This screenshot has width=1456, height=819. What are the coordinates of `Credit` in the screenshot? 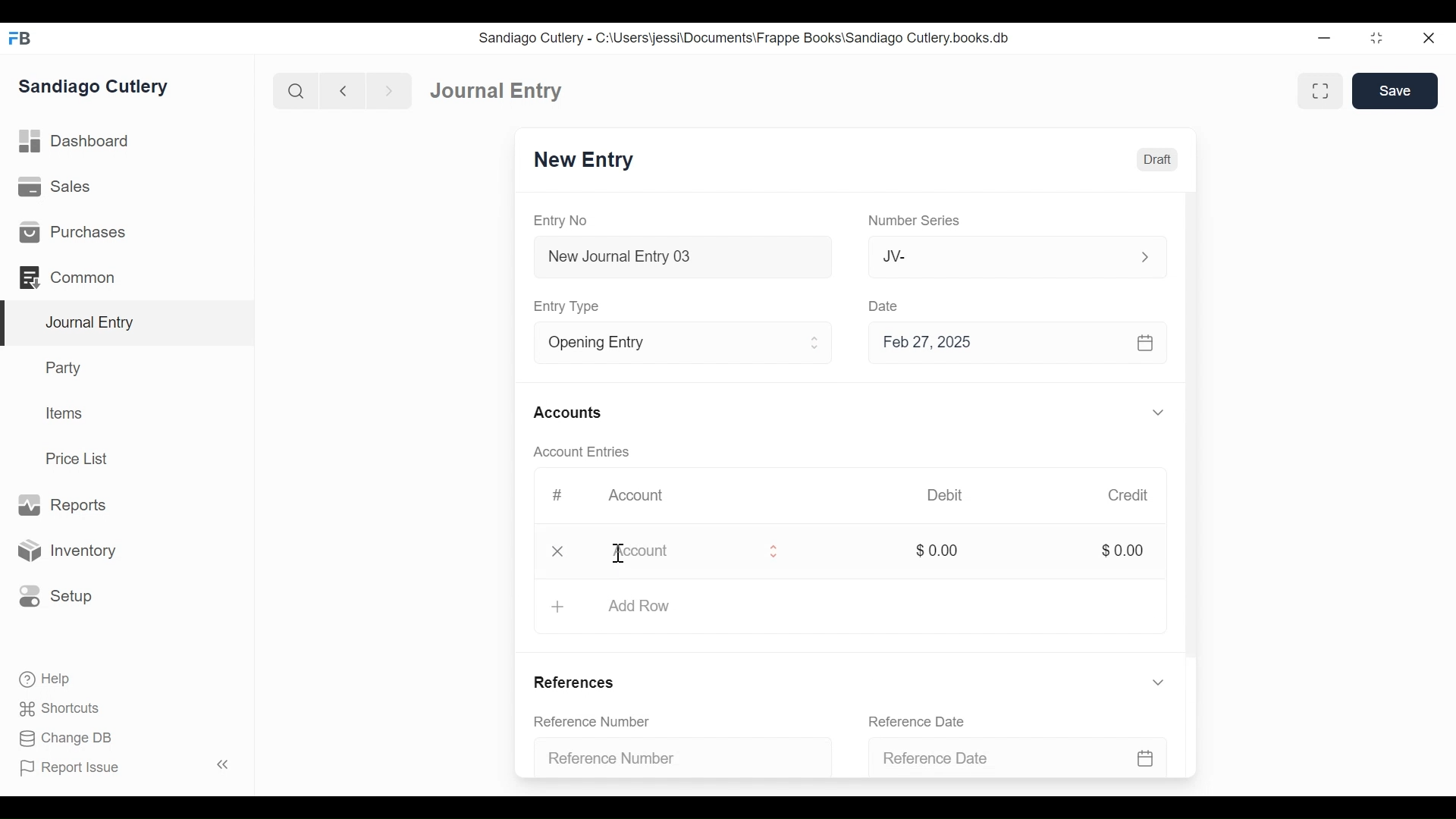 It's located at (1130, 495).